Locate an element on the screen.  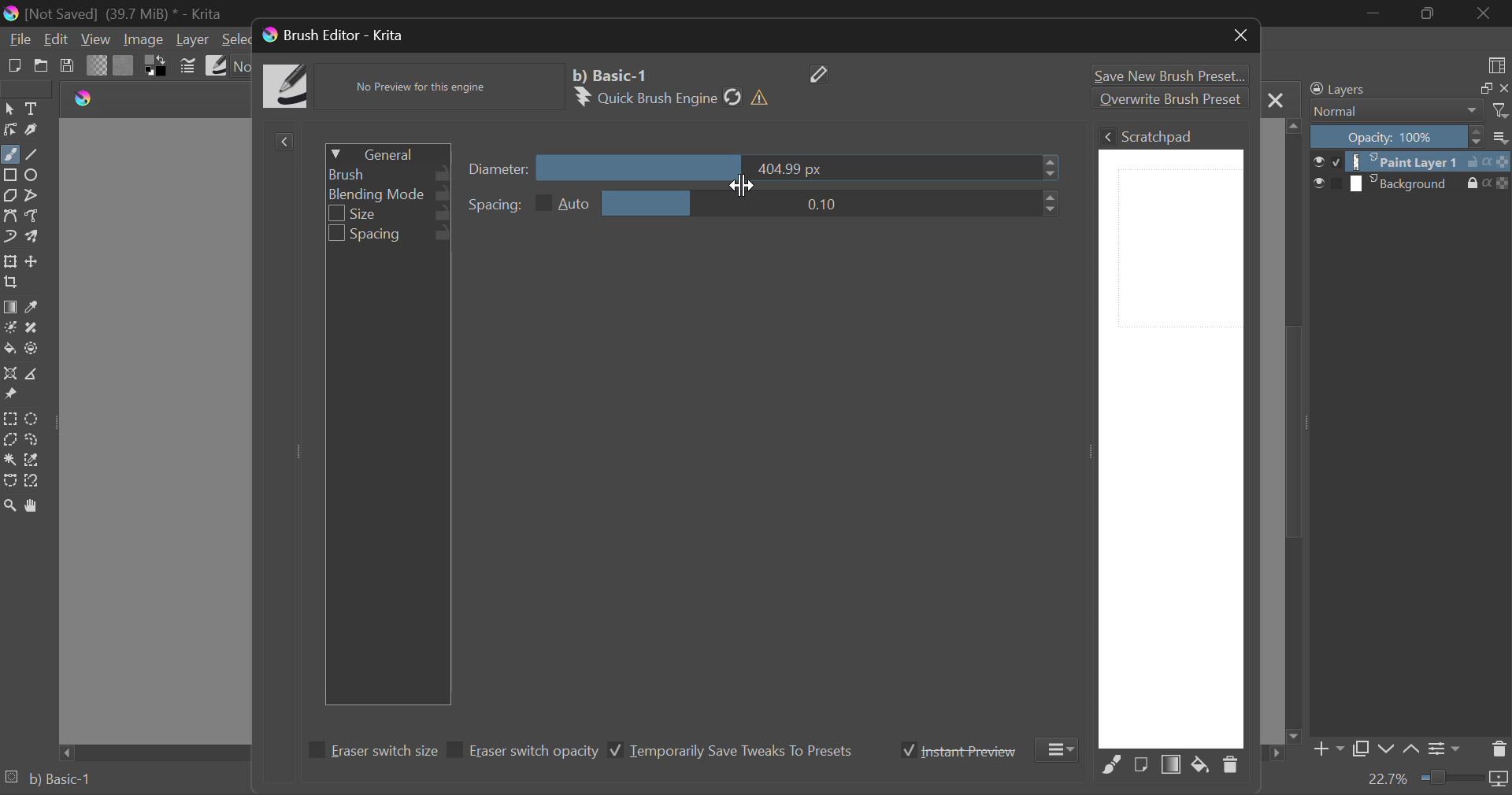
Crop Layer is located at coordinates (14, 283).